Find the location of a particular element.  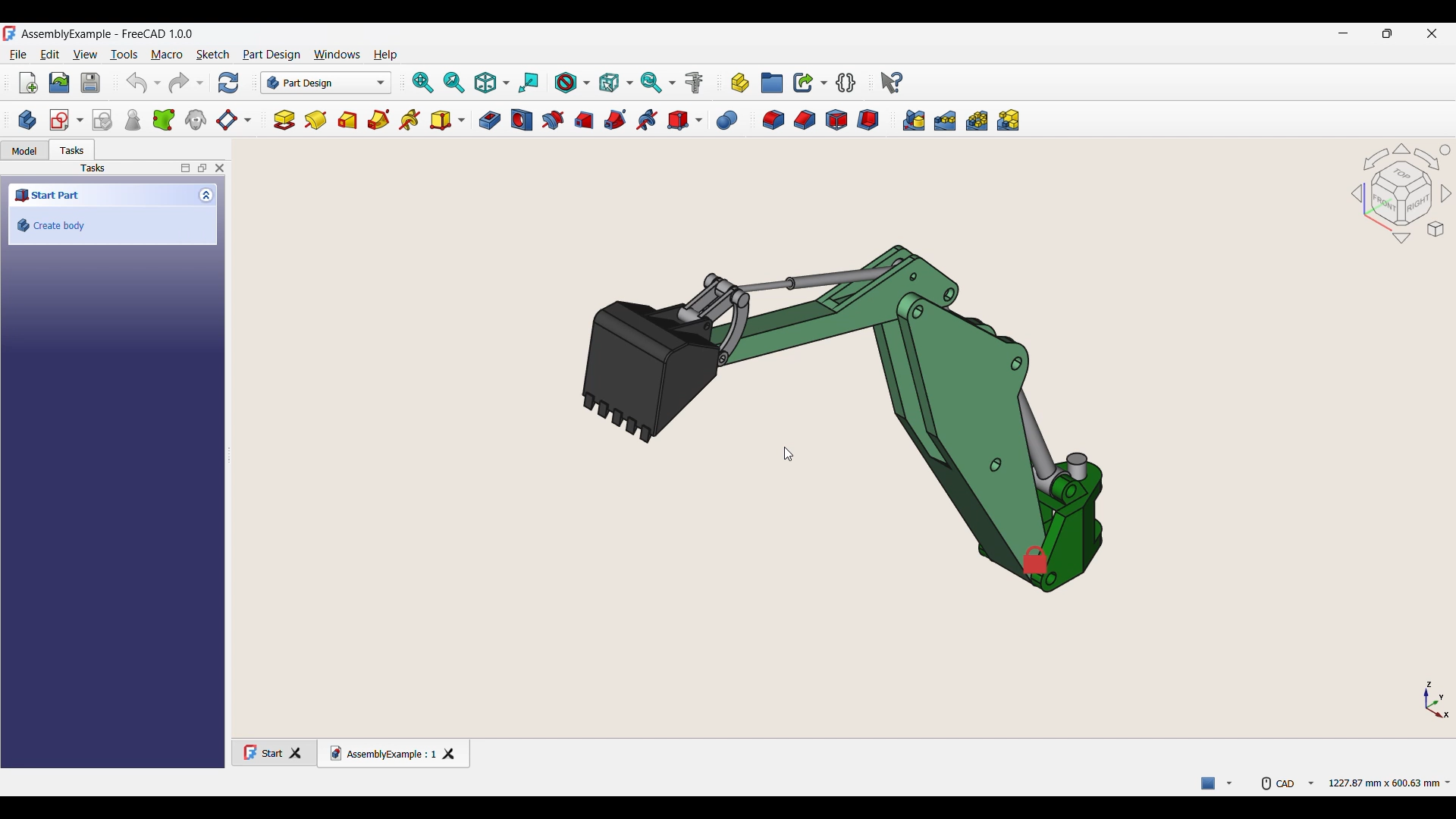

Close tab is located at coordinates (453, 752).